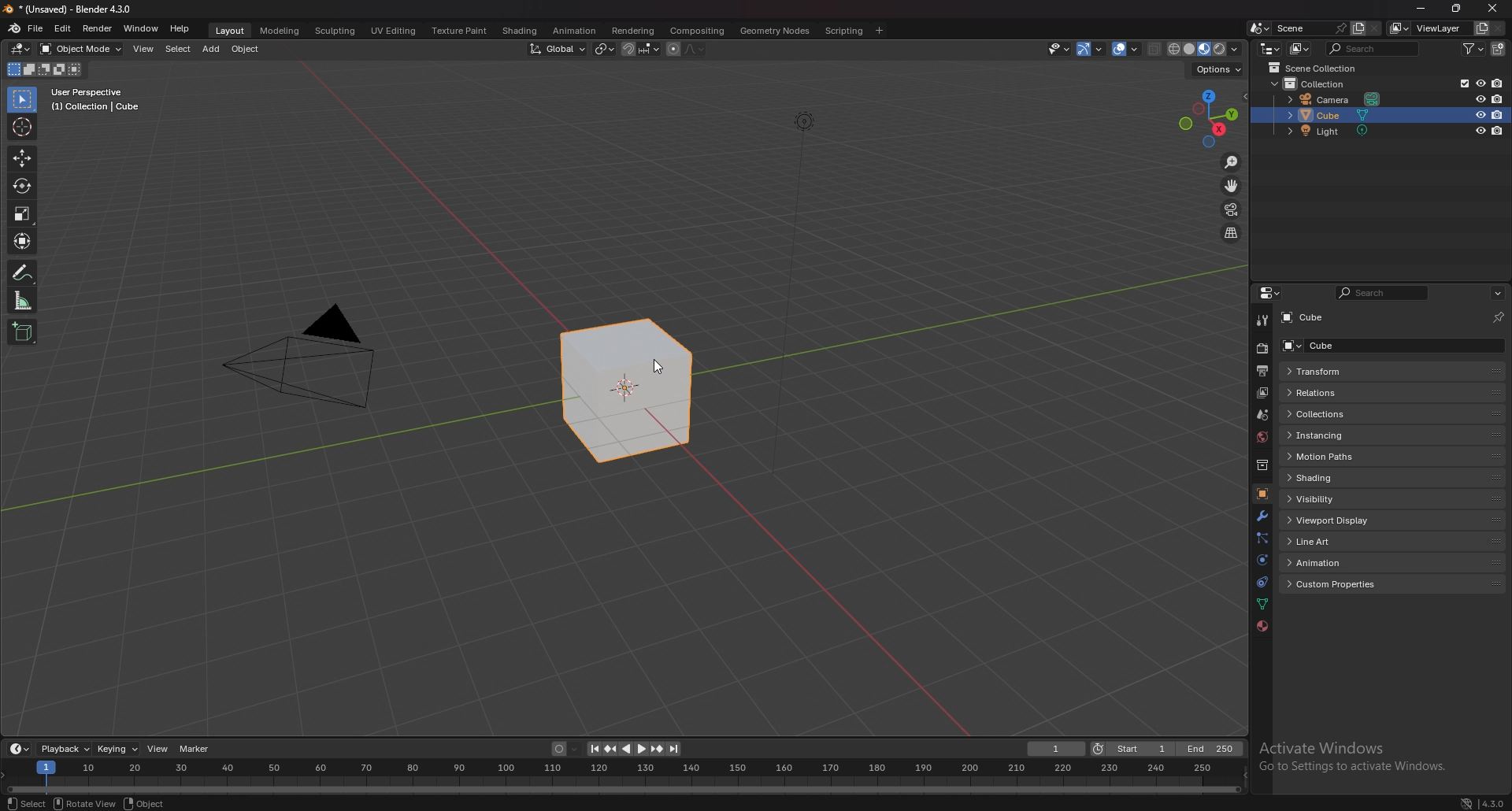 The image size is (1512, 811). I want to click on zoom, so click(1232, 162).